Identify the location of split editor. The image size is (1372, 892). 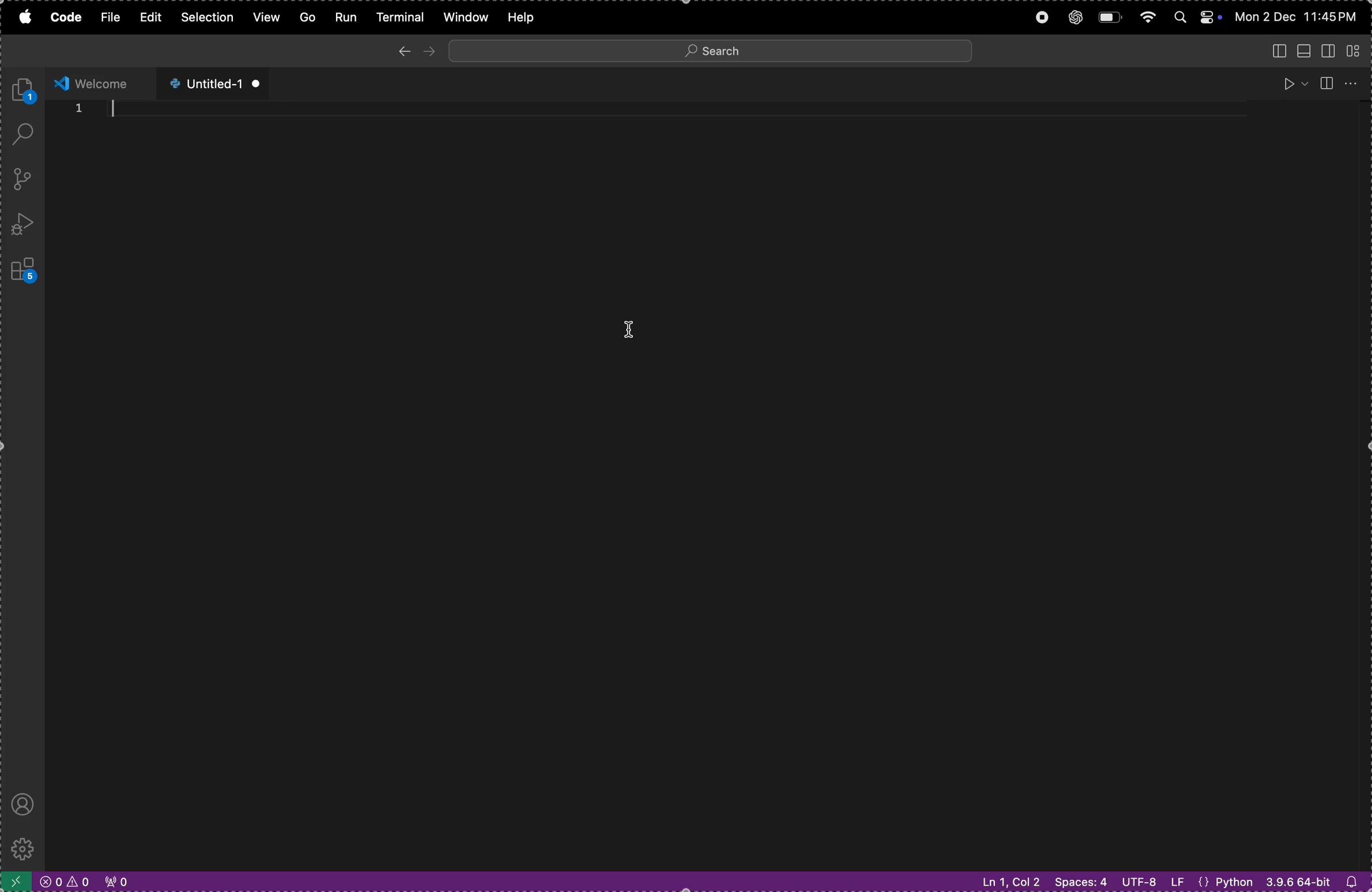
(1325, 81).